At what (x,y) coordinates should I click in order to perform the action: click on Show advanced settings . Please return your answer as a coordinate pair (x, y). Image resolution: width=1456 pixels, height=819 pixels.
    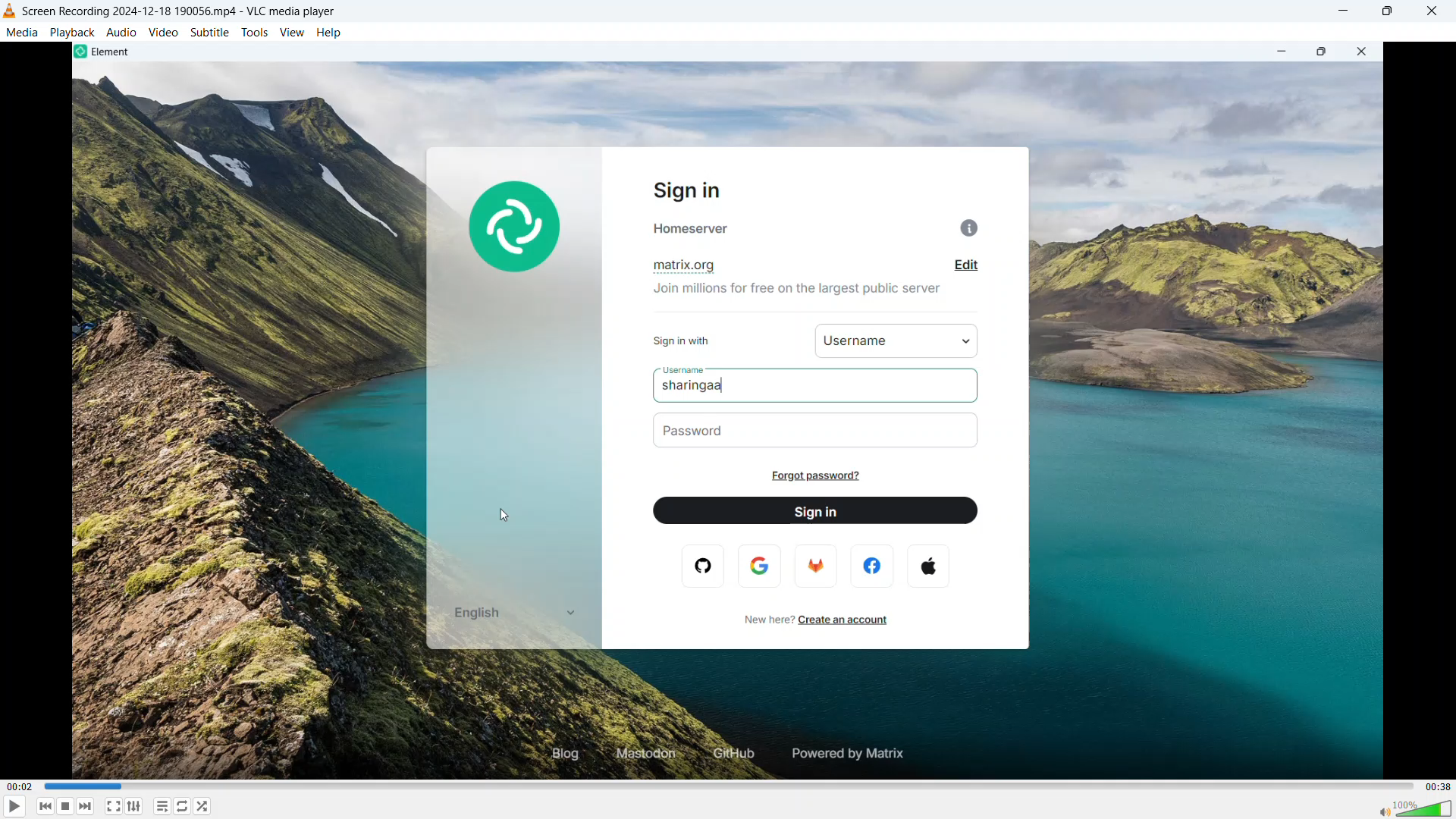
    Looking at the image, I should click on (133, 806).